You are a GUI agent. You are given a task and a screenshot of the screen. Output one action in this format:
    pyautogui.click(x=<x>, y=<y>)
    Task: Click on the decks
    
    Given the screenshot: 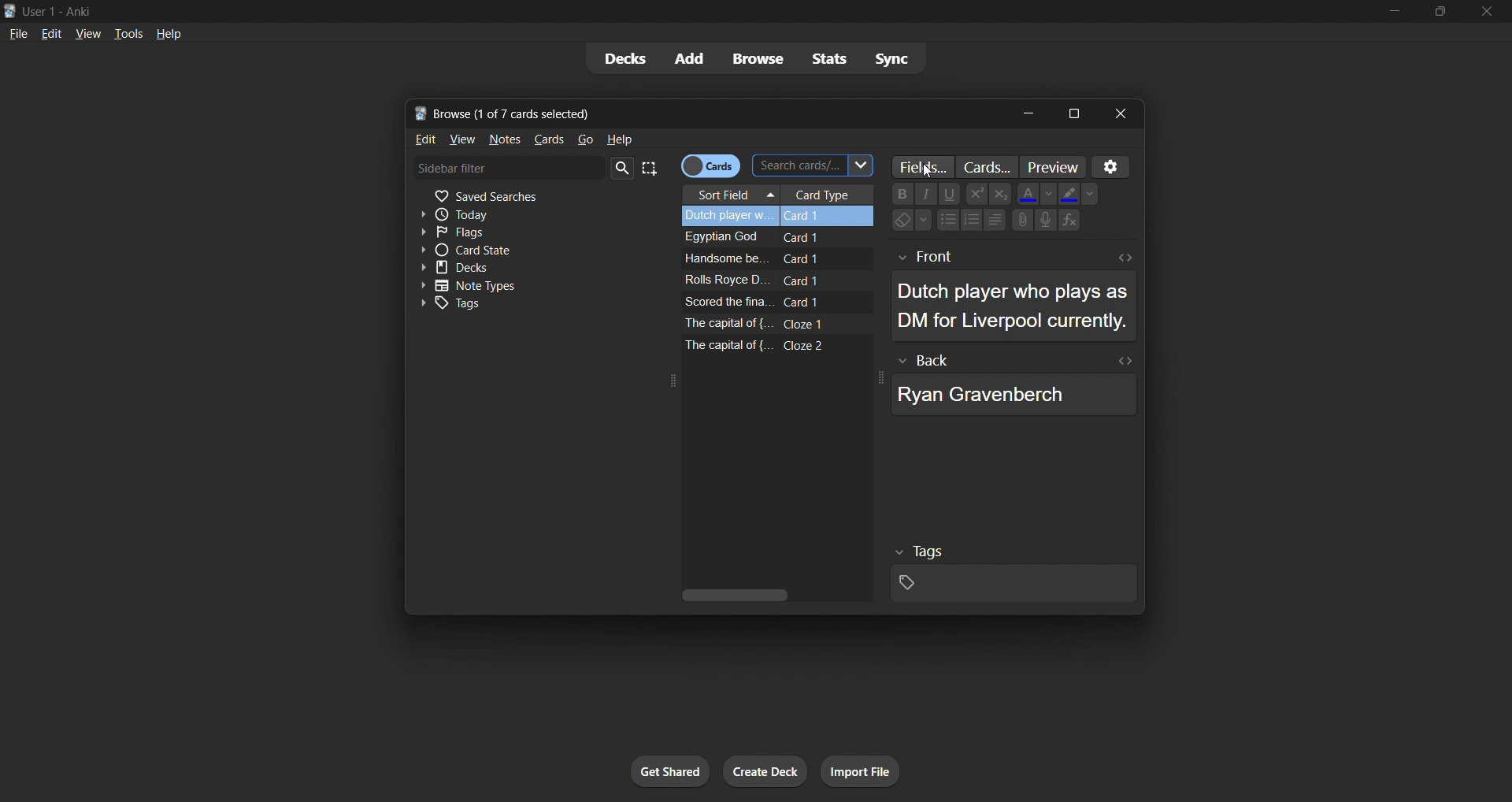 What is the action you would take?
    pyautogui.click(x=624, y=58)
    